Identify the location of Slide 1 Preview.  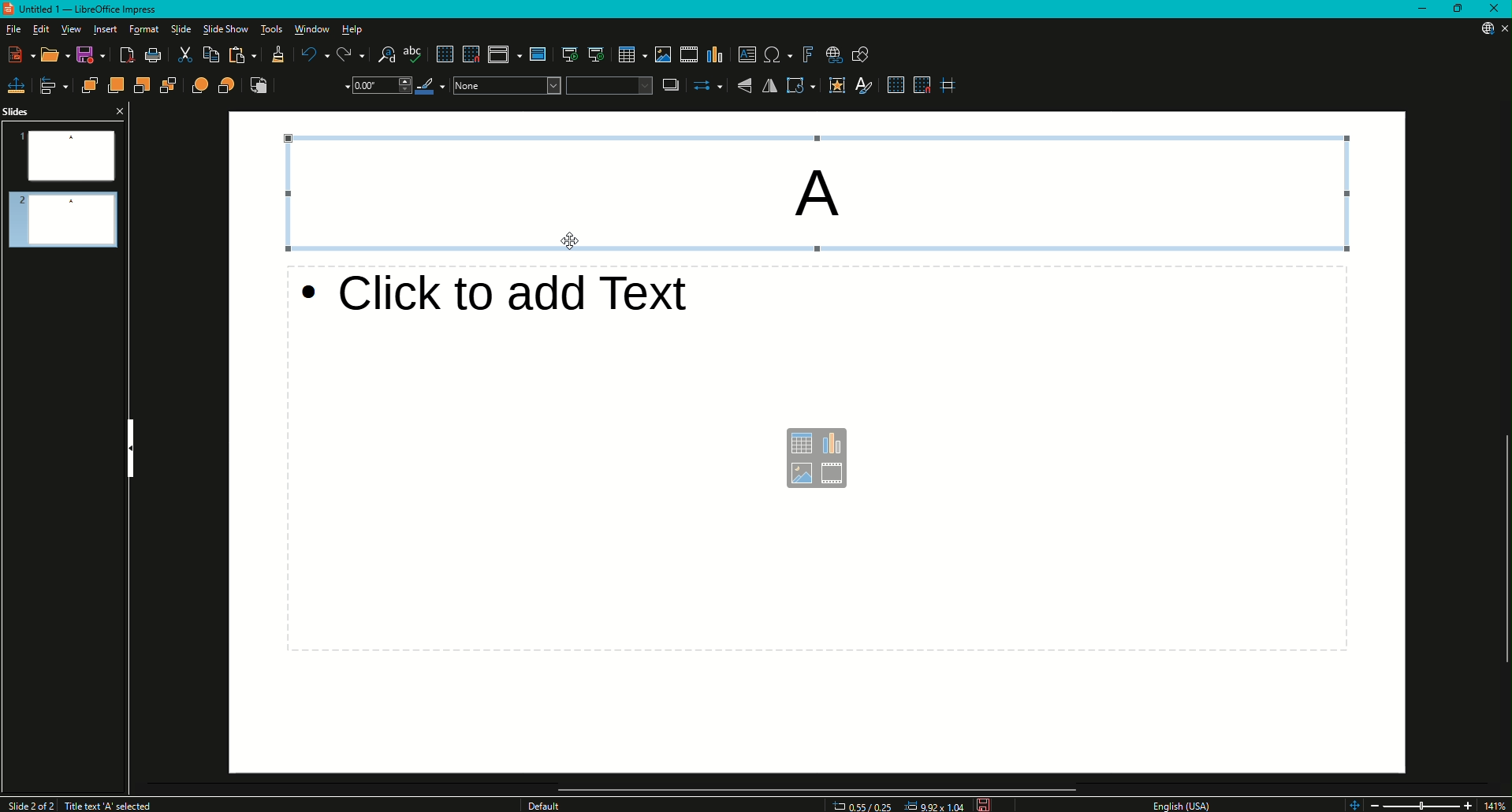
(65, 155).